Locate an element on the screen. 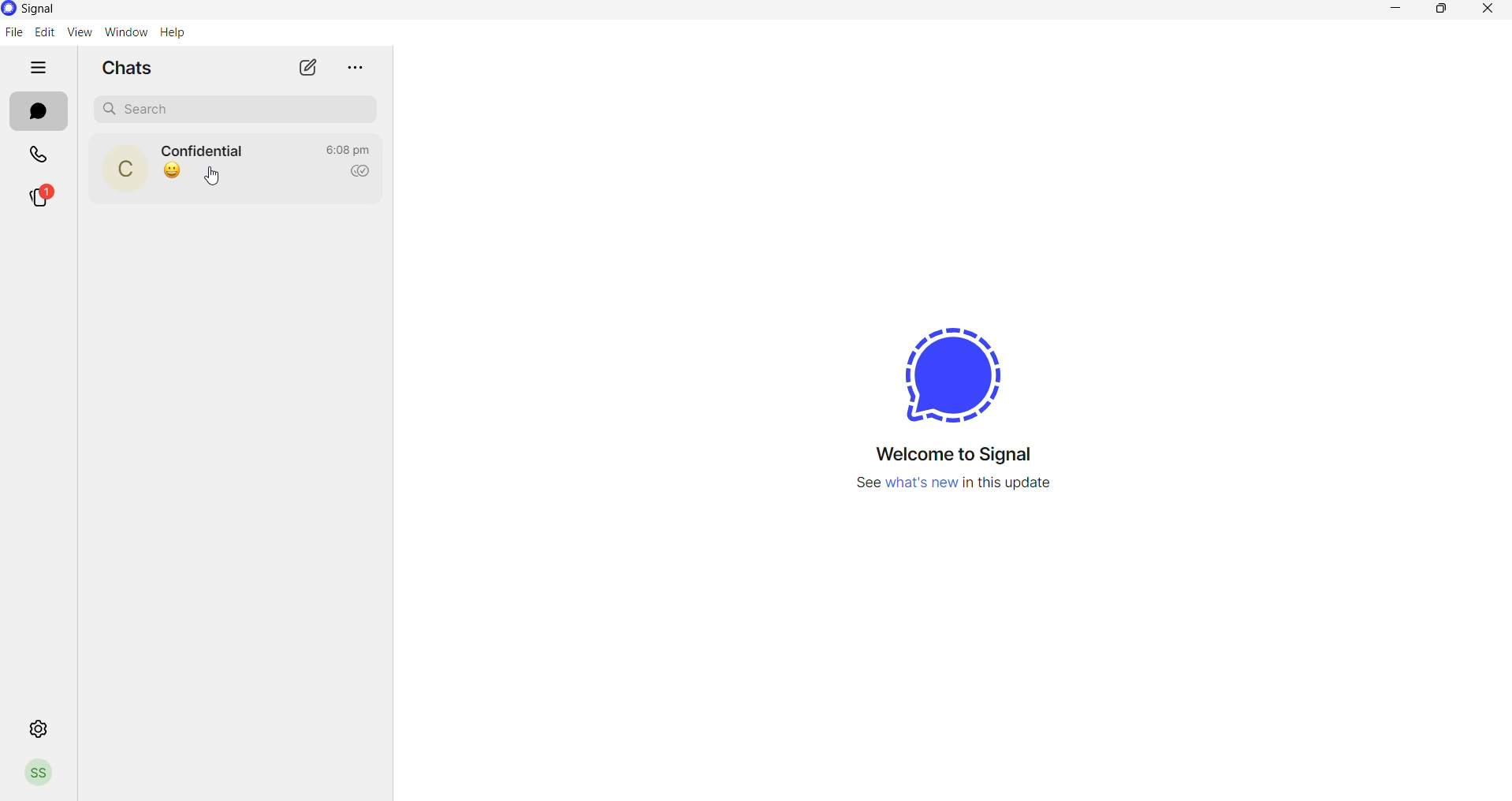 This screenshot has width=1512, height=801. close is located at coordinates (1483, 10).